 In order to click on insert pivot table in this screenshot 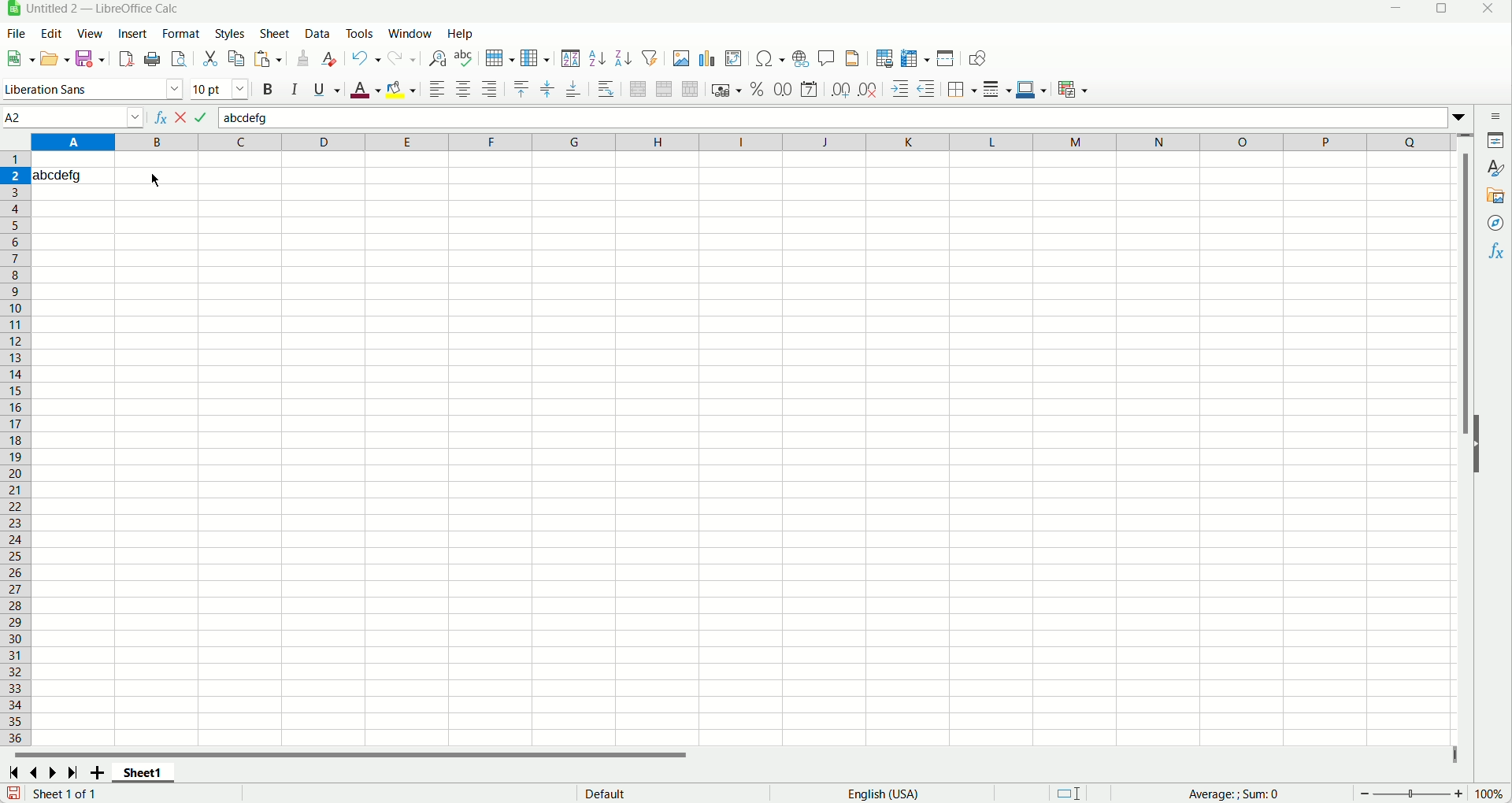, I will do `click(732, 58)`.